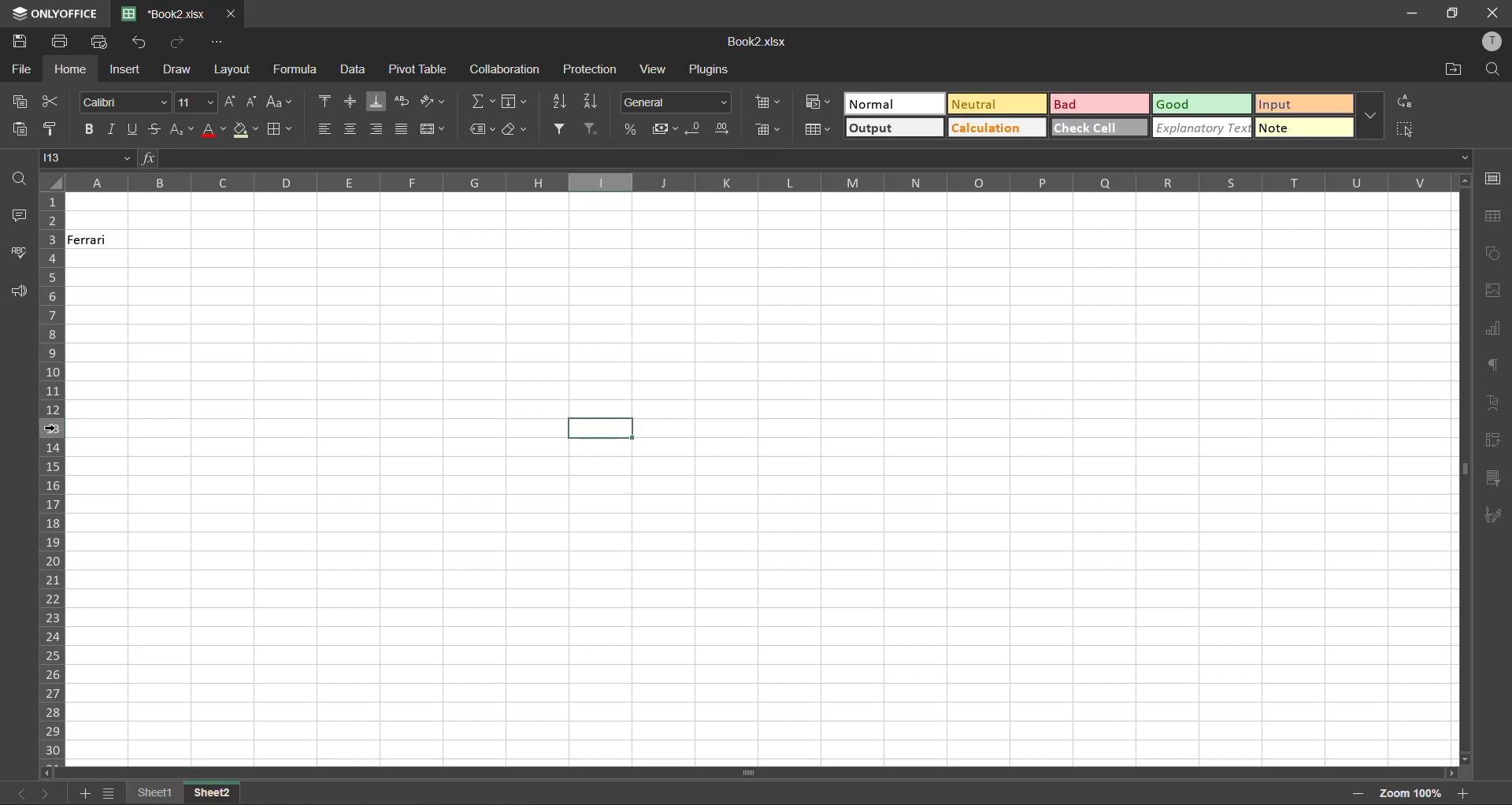  I want to click on sheet list, so click(113, 795).